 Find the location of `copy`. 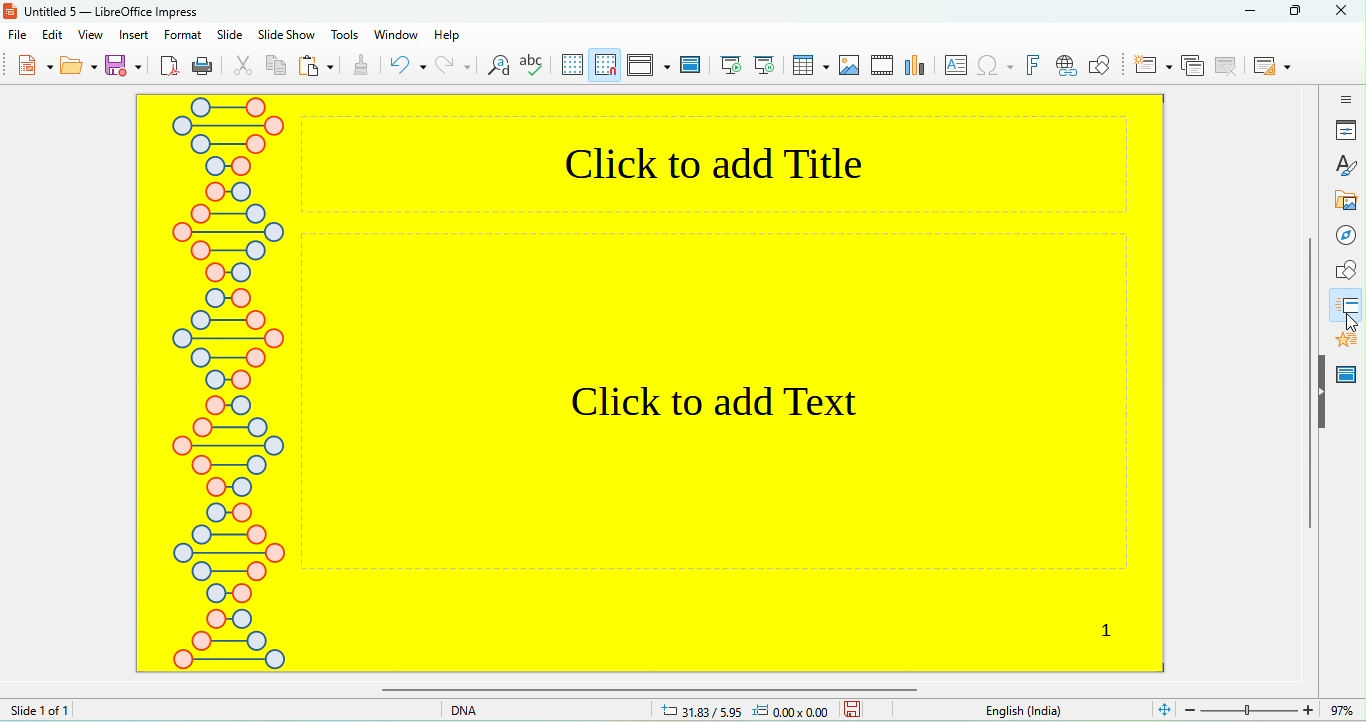

copy is located at coordinates (280, 68).